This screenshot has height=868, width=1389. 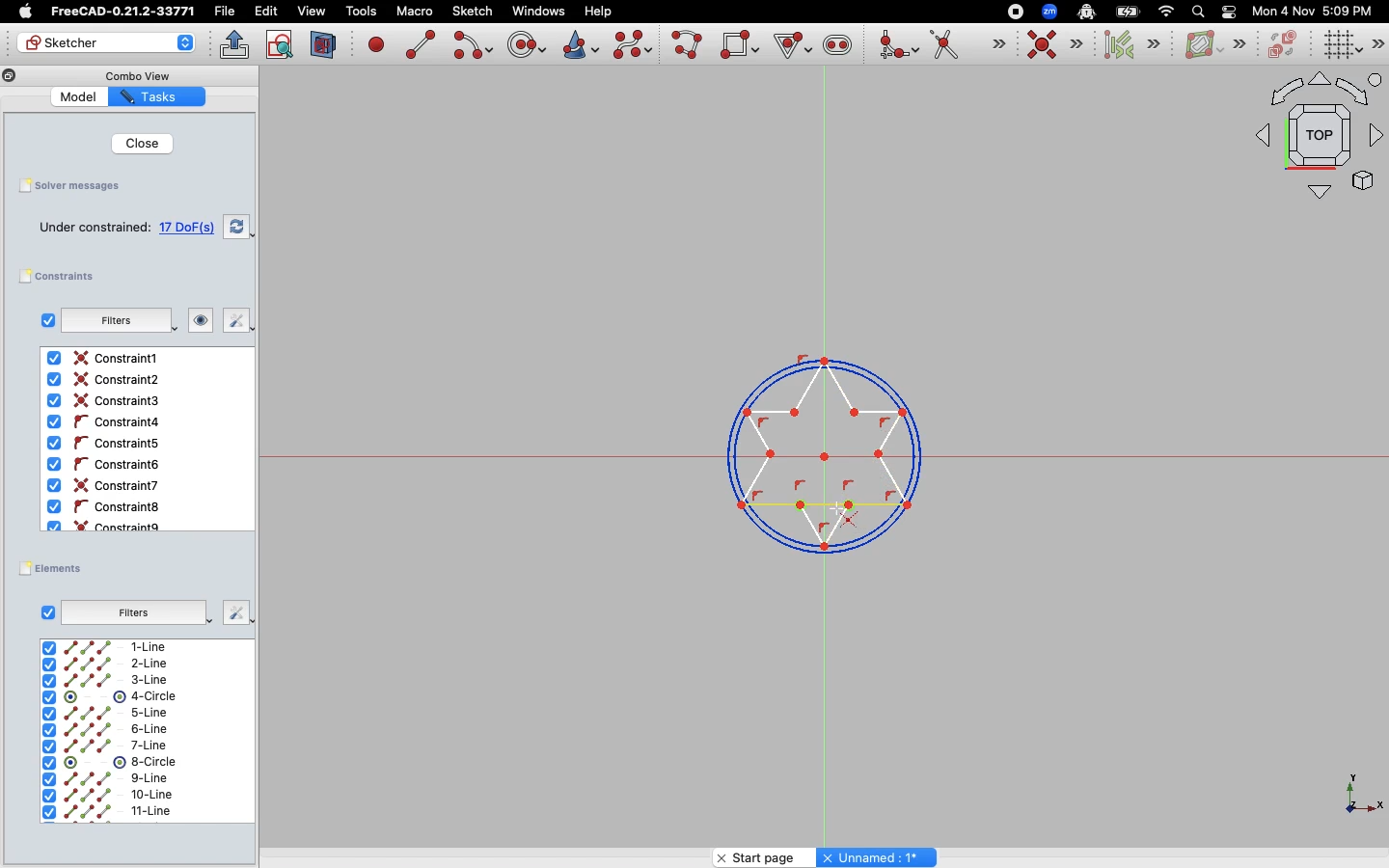 I want to click on 11-line, so click(x=106, y=811).